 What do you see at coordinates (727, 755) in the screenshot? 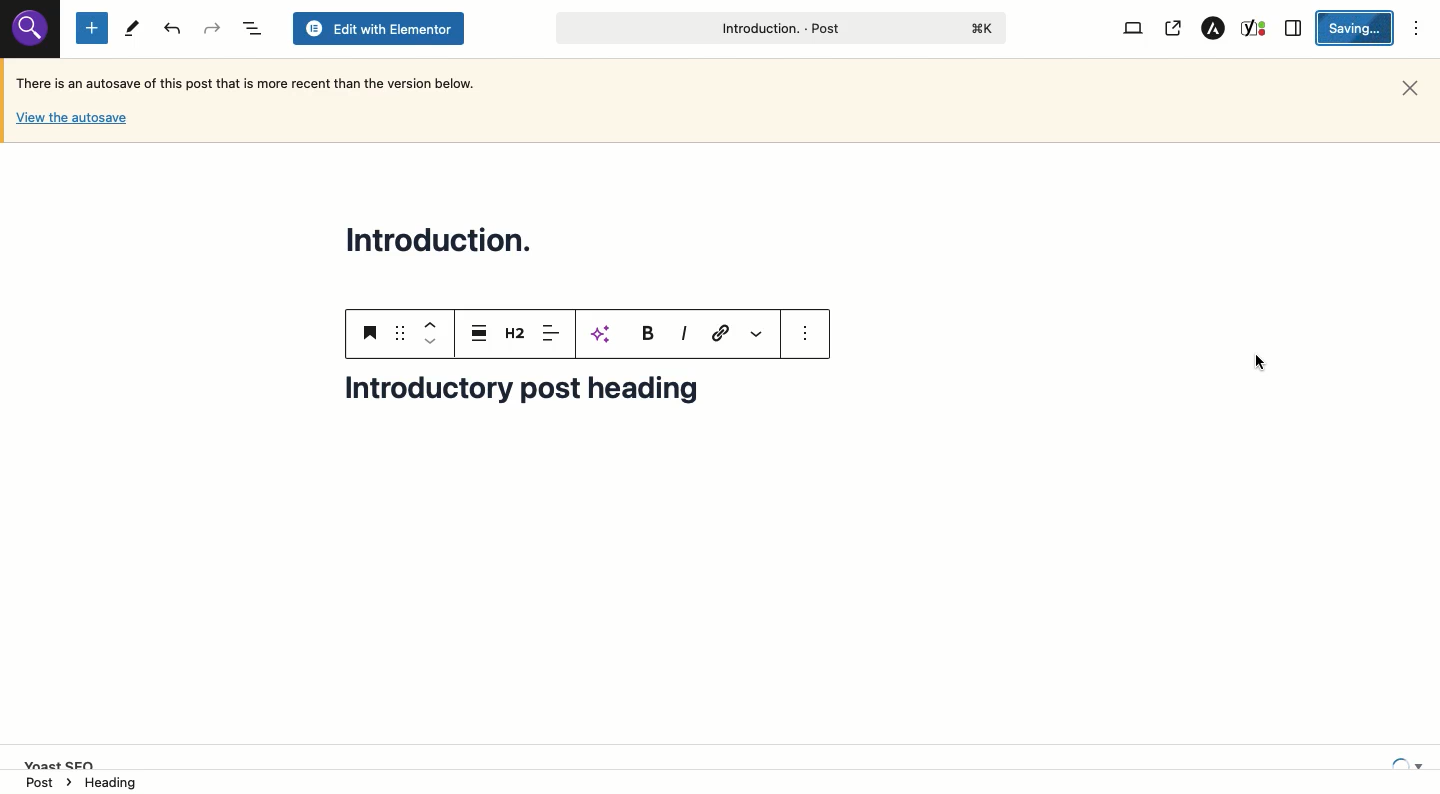
I see `Yoast SEO` at bounding box center [727, 755].